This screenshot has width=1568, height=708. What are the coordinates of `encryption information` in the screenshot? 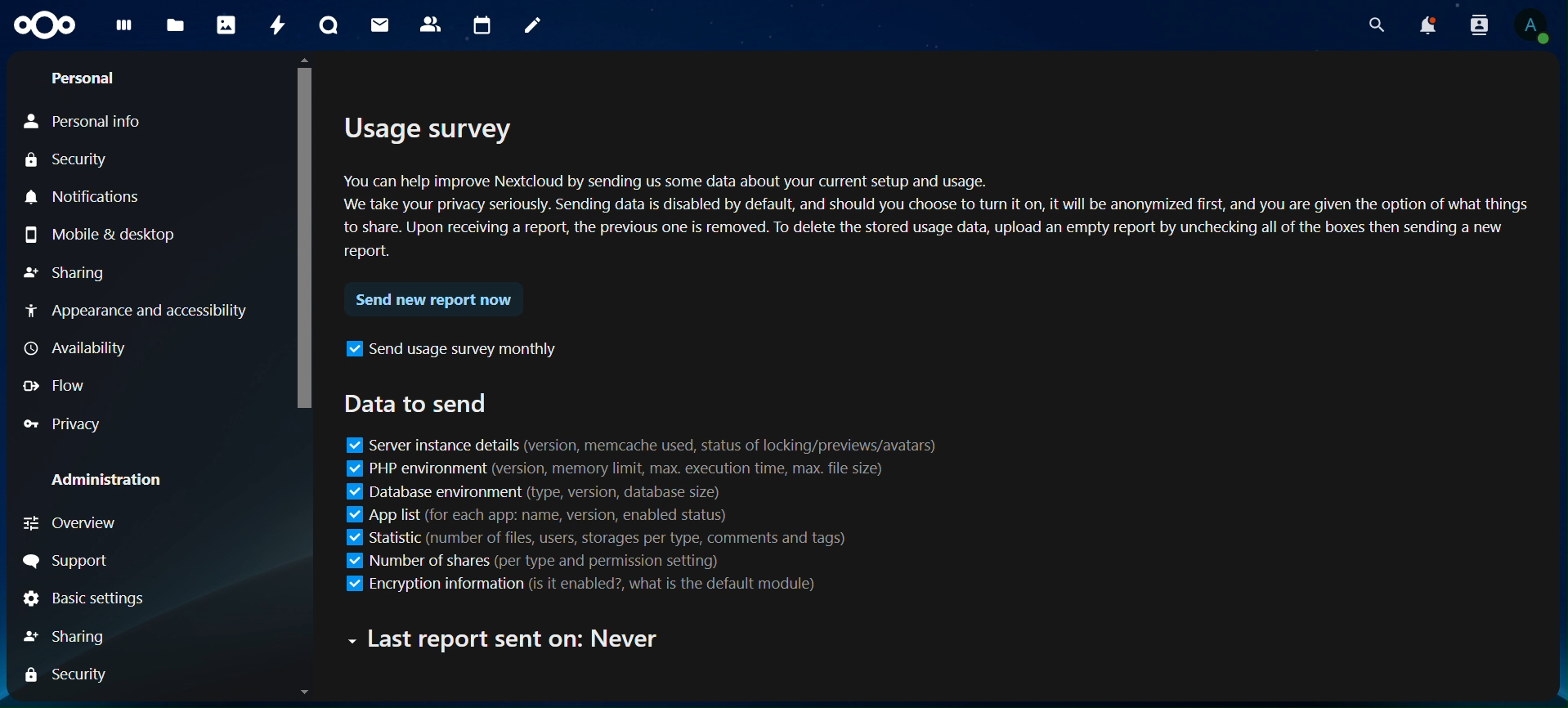 It's located at (605, 585).